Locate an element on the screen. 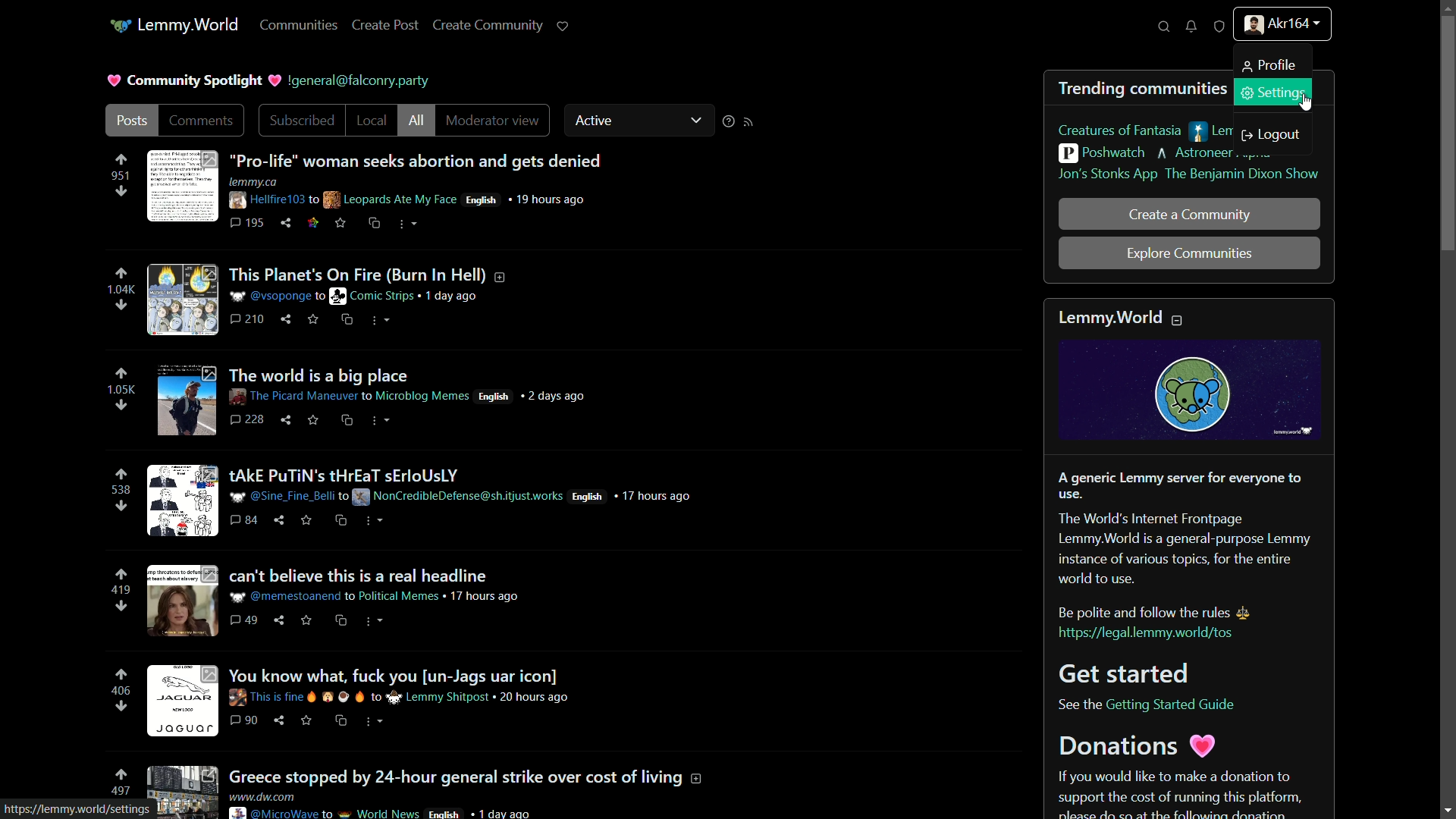 The image size is (1456, 819). post-1 is located at coordinates (375, 188).